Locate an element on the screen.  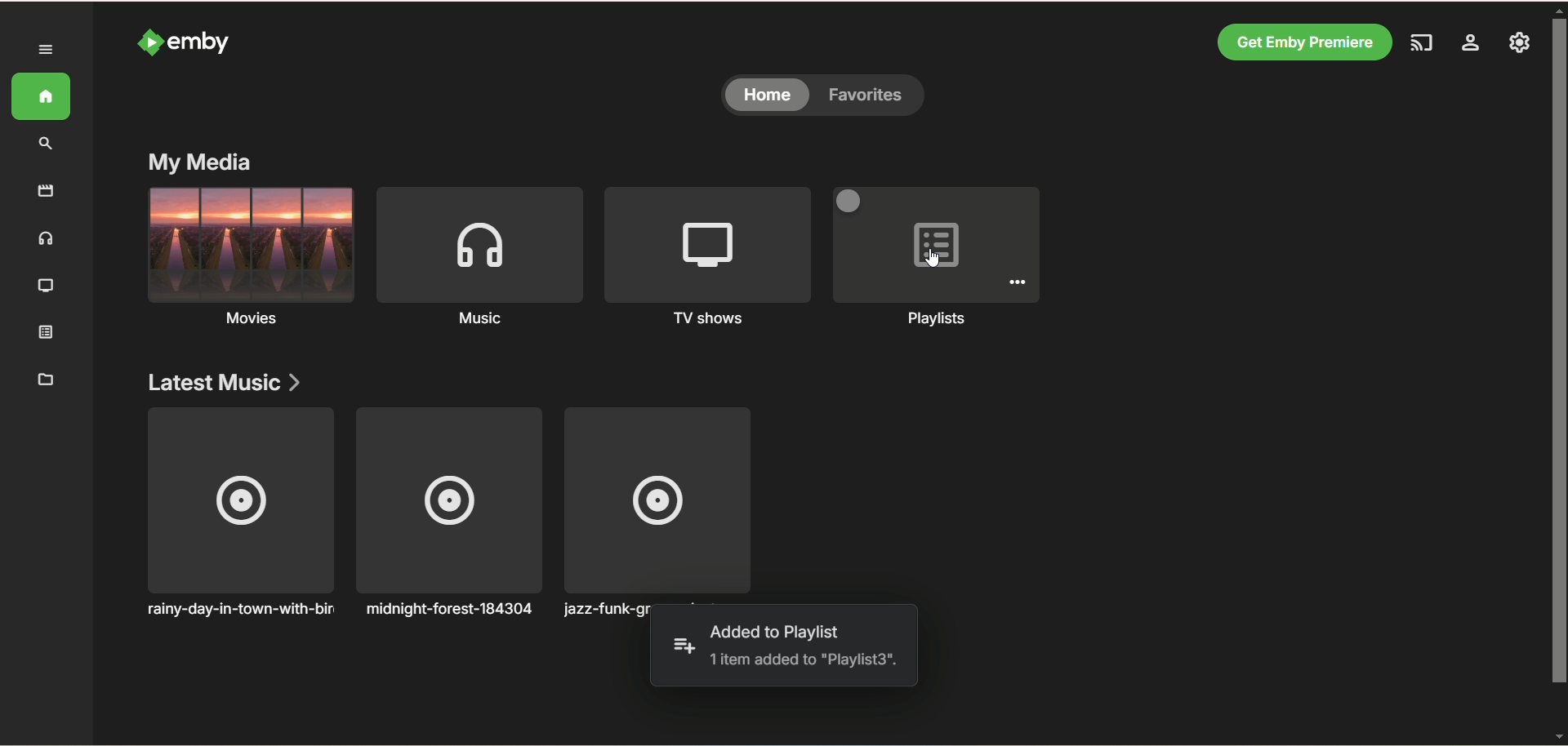
manage emby server is located at coordinates (1521, 44).